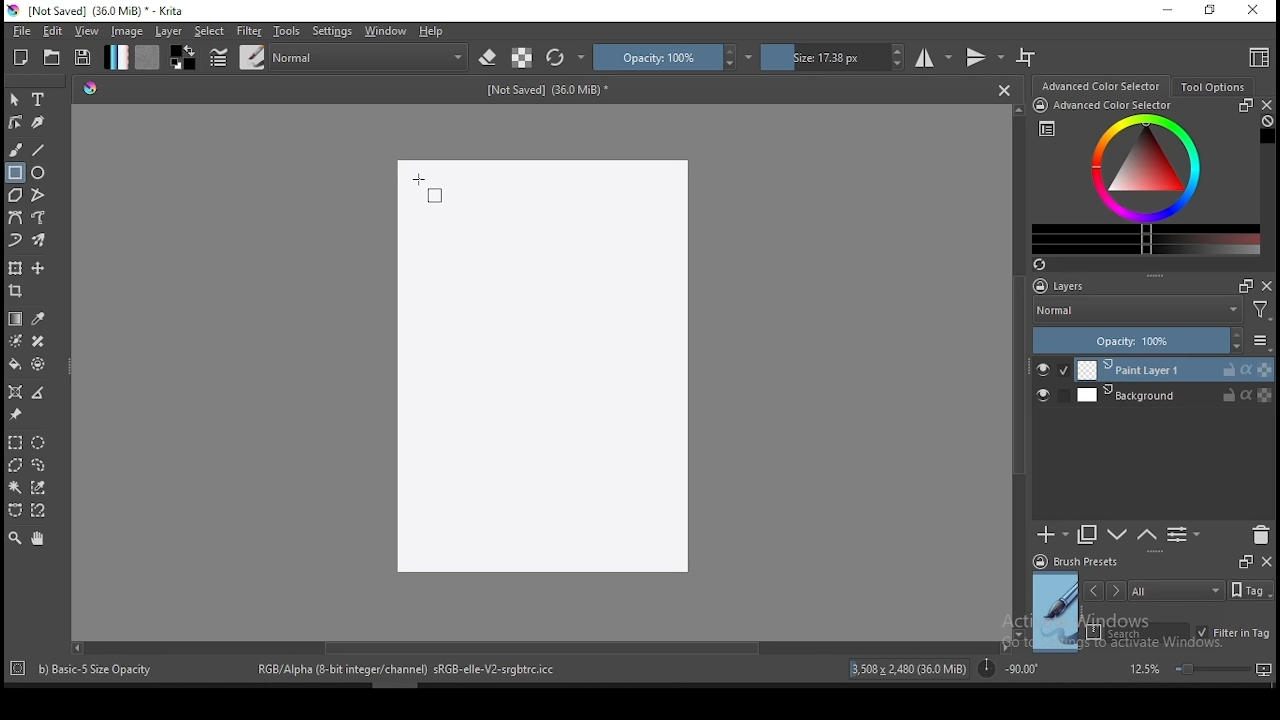 This screenshot has width=1280, height=720. Describe the element at coordinates (1048, 397) in the screenshot. I see `layer visibility on/off` at that location.